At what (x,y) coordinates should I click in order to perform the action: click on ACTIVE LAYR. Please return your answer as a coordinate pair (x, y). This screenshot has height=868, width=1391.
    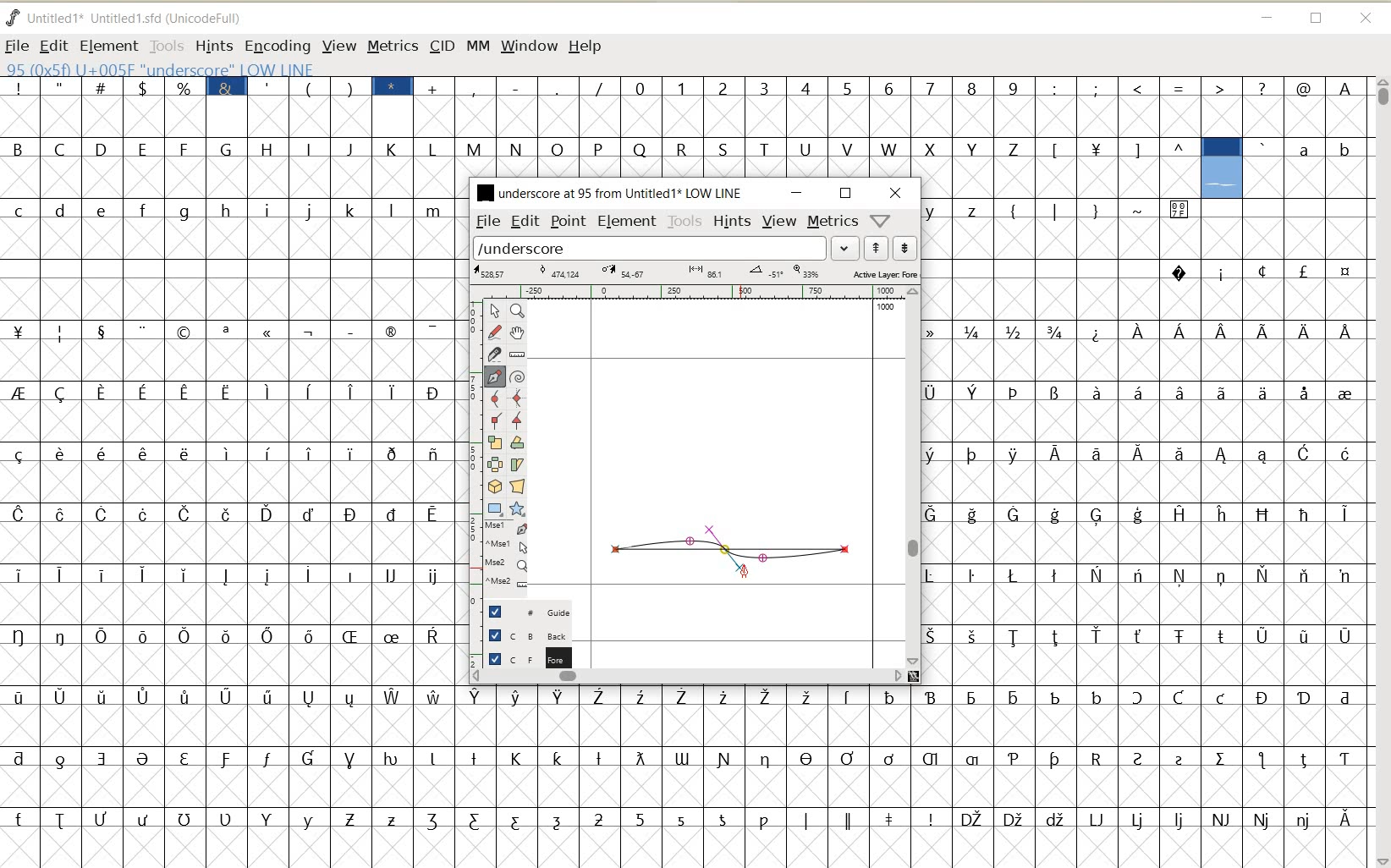
    Looking at the image, I should click on (695, 272).